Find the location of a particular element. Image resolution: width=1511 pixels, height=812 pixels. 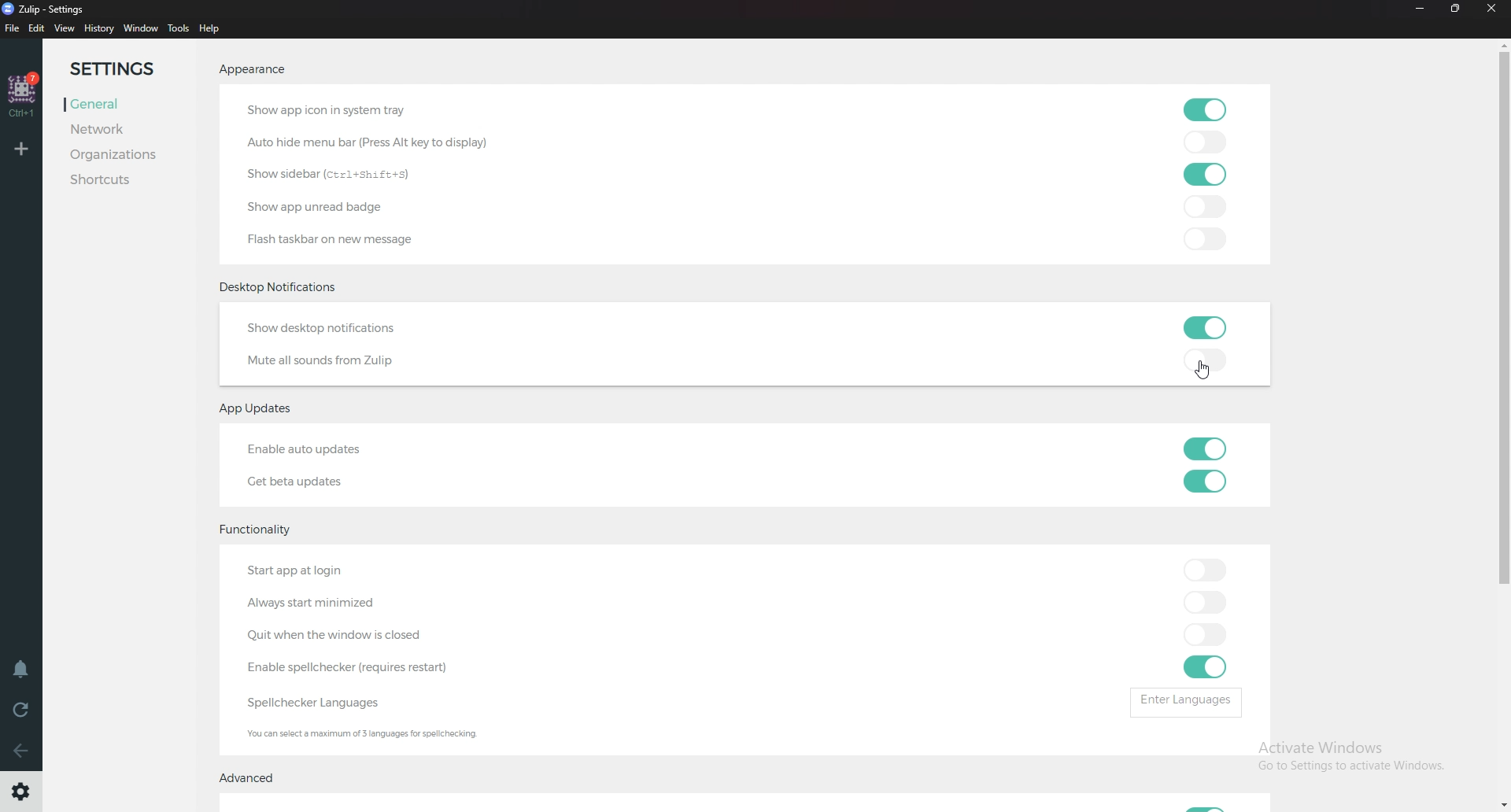

back is located at coordinates (21, 746).